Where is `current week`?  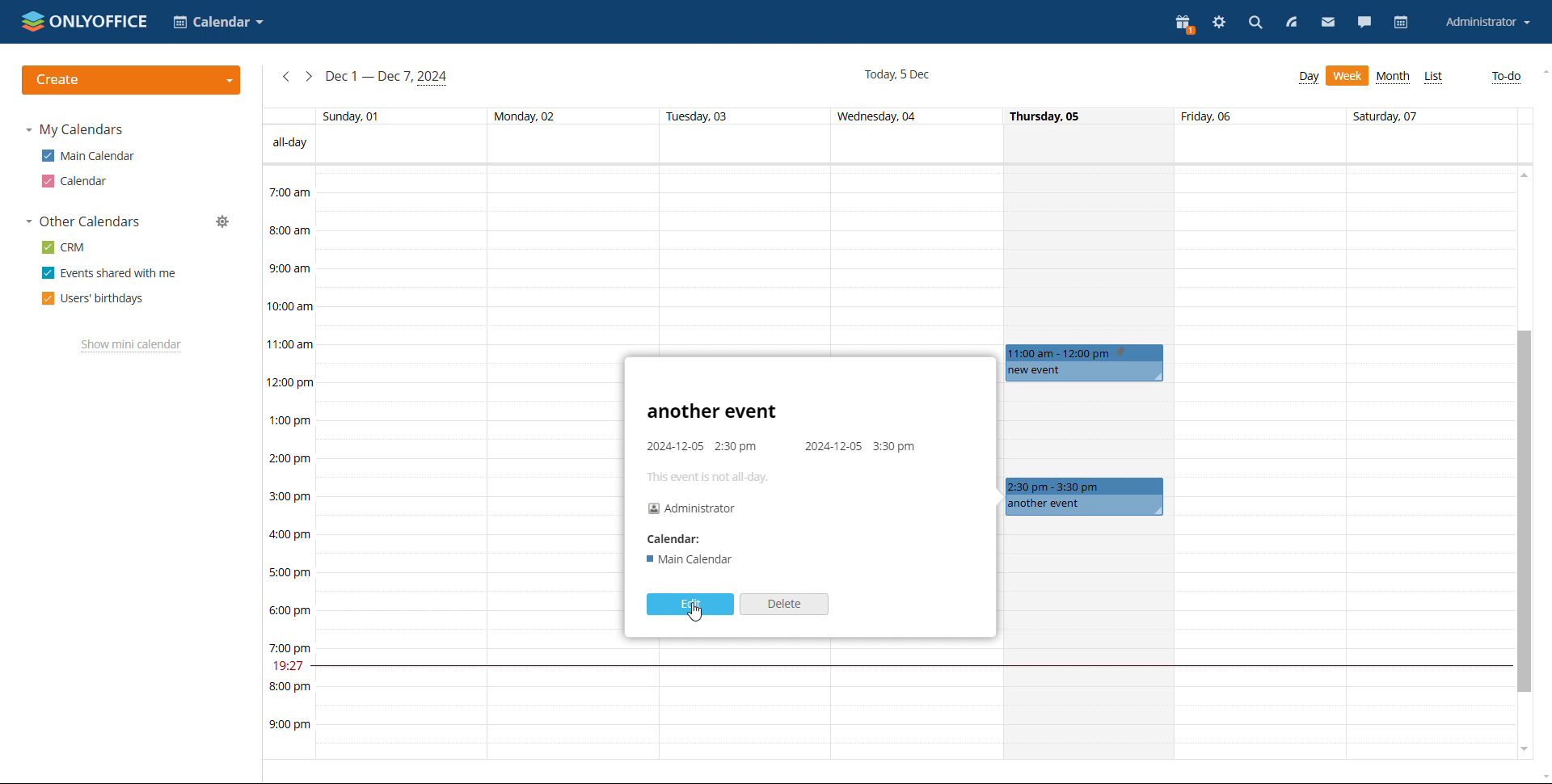
current week is located at coordinates (387, 78).